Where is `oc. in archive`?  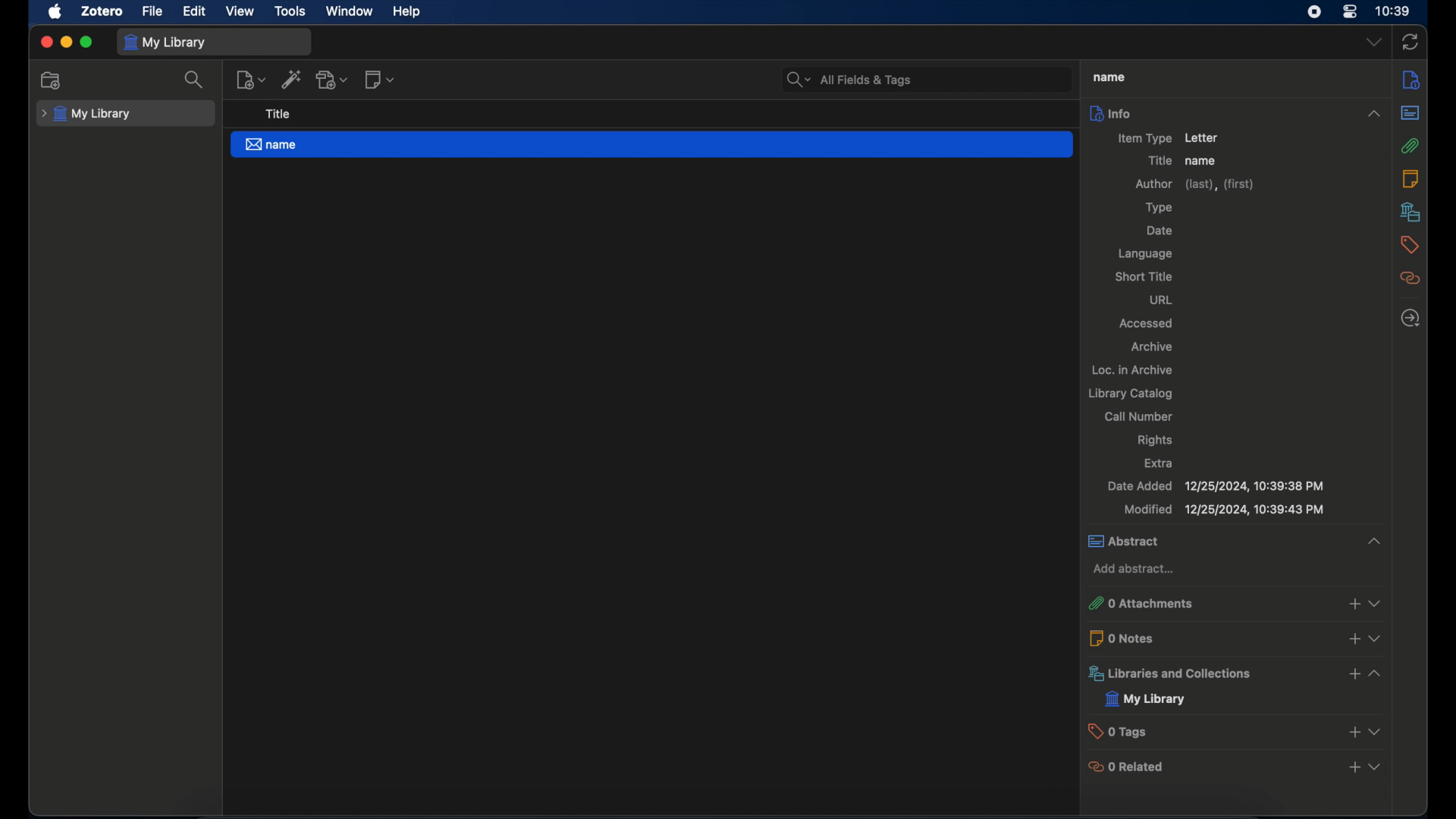
oc. in archive is located at coordinates (1131, 371).